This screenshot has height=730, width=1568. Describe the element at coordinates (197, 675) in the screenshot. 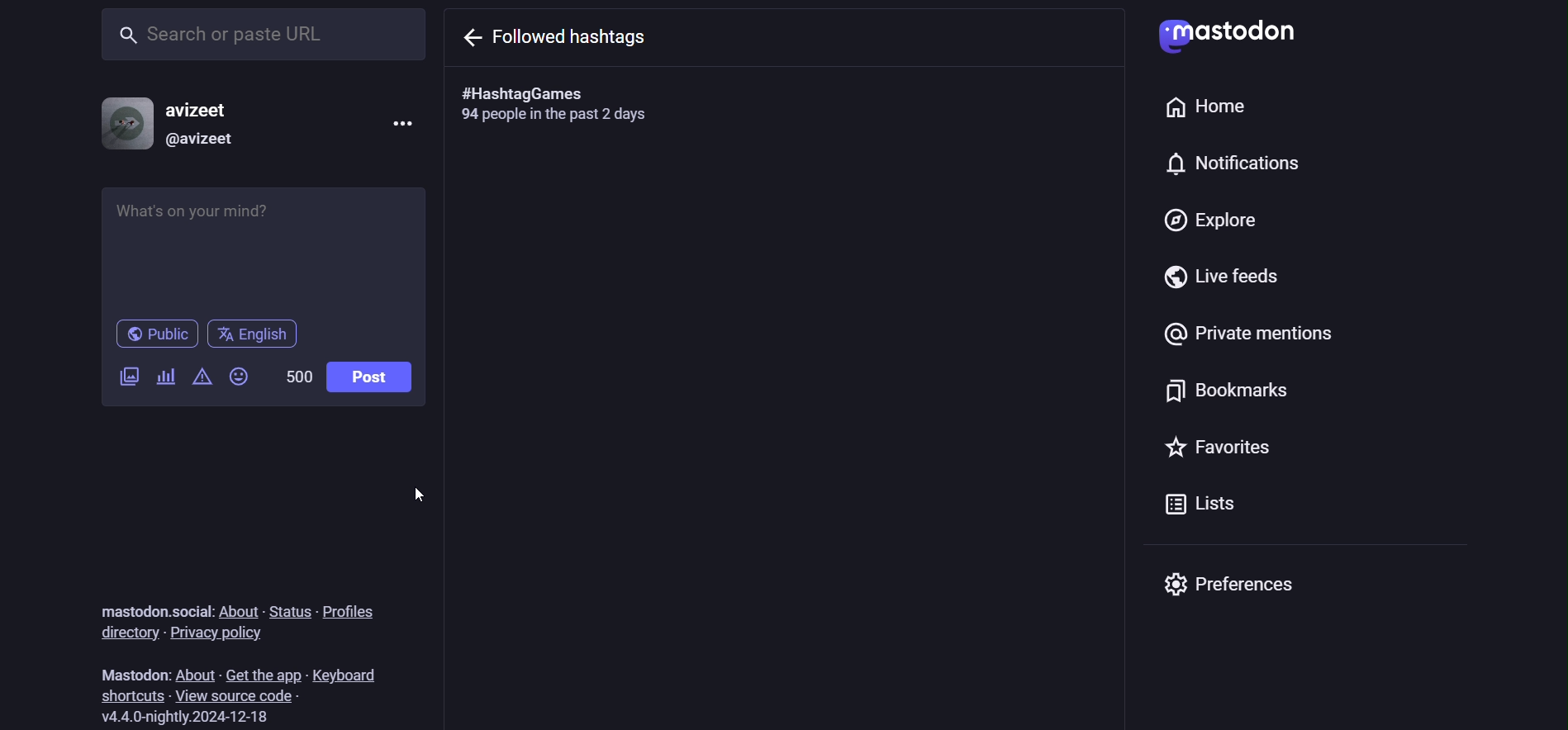

I see `about` at that location.